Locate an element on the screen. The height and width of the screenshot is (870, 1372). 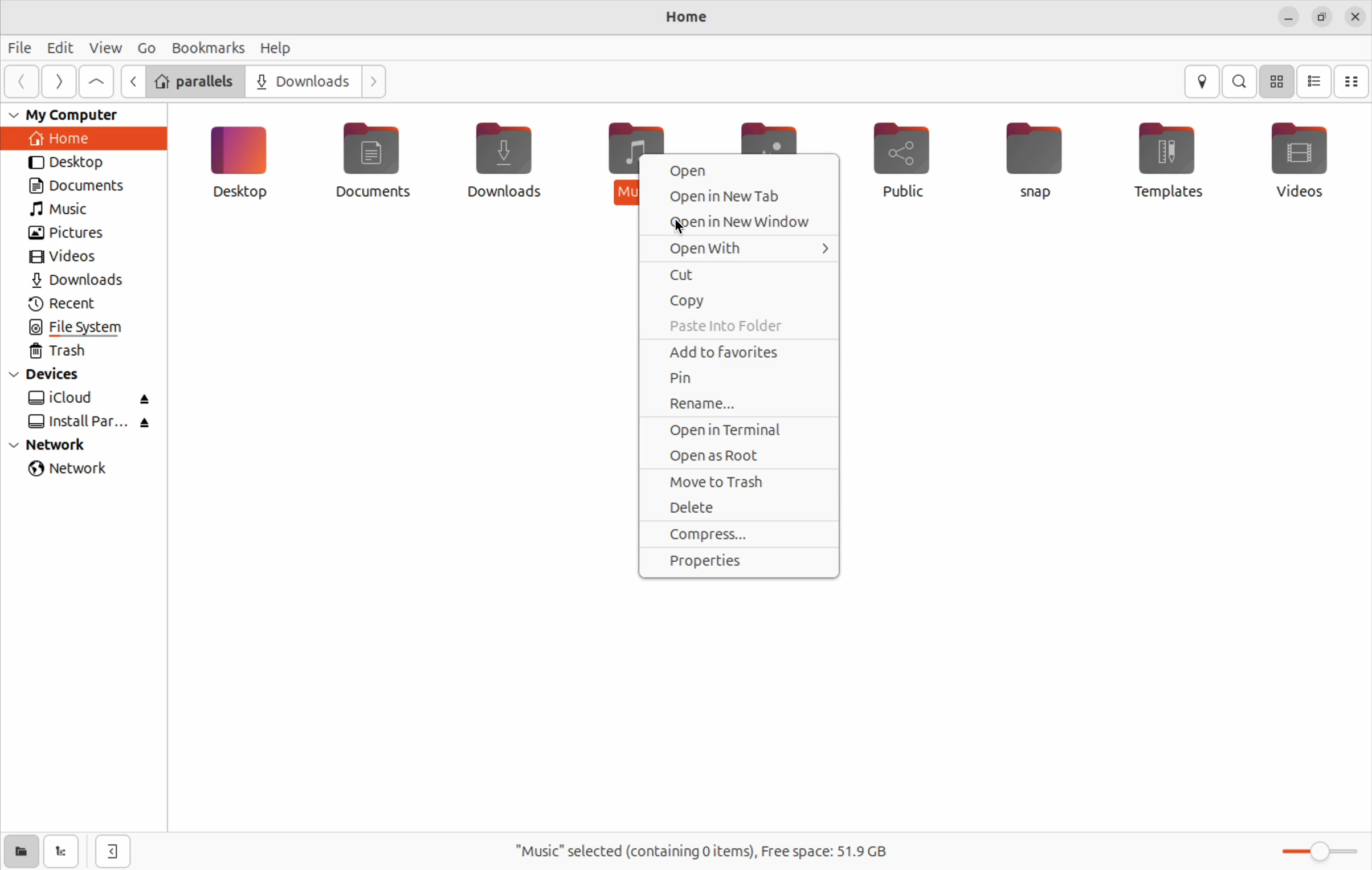
Documents file is located at coordinates (378, 162).